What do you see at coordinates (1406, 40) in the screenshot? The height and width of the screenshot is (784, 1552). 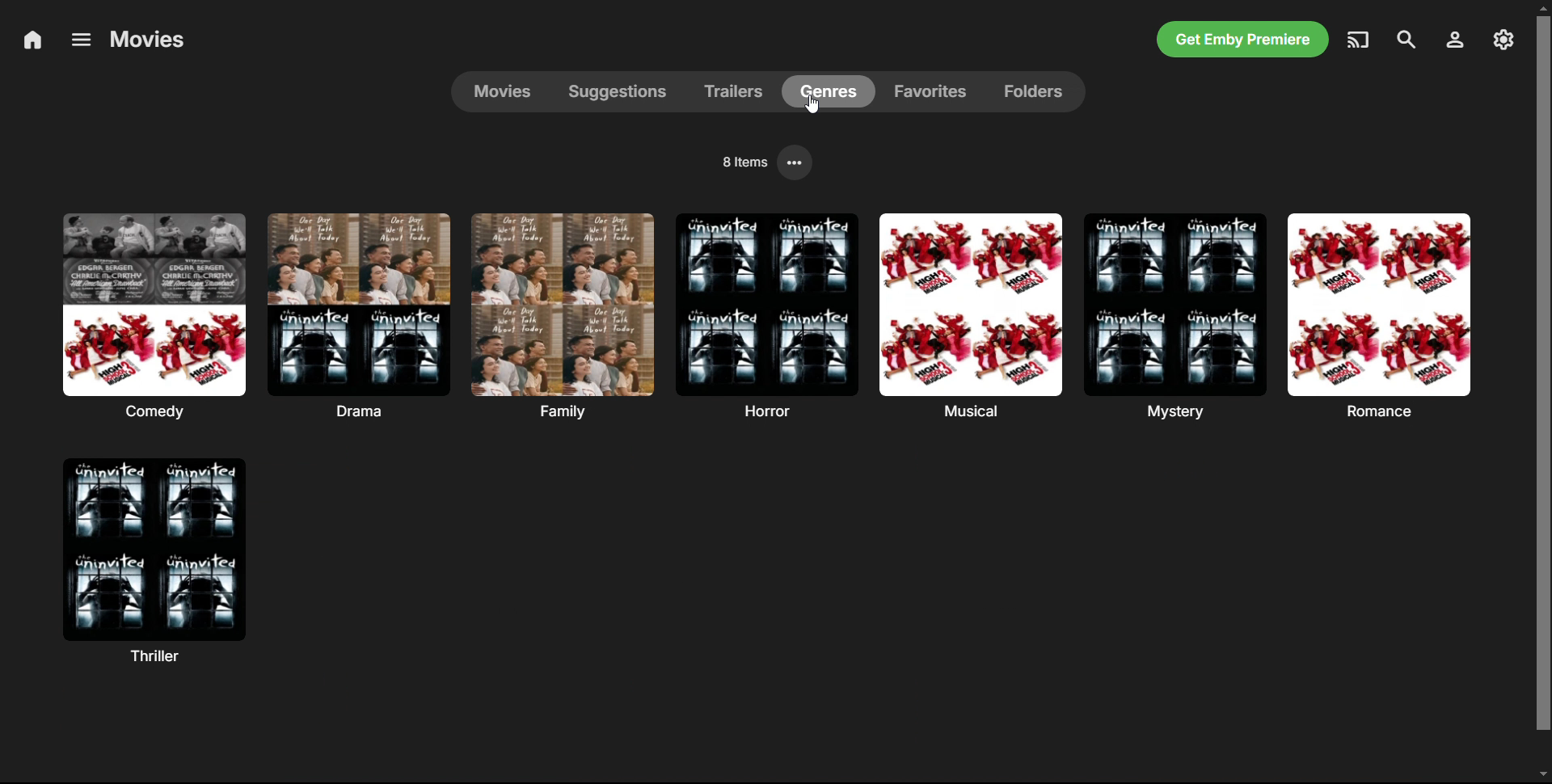 I see `search` at bounding box center [1406, 40].